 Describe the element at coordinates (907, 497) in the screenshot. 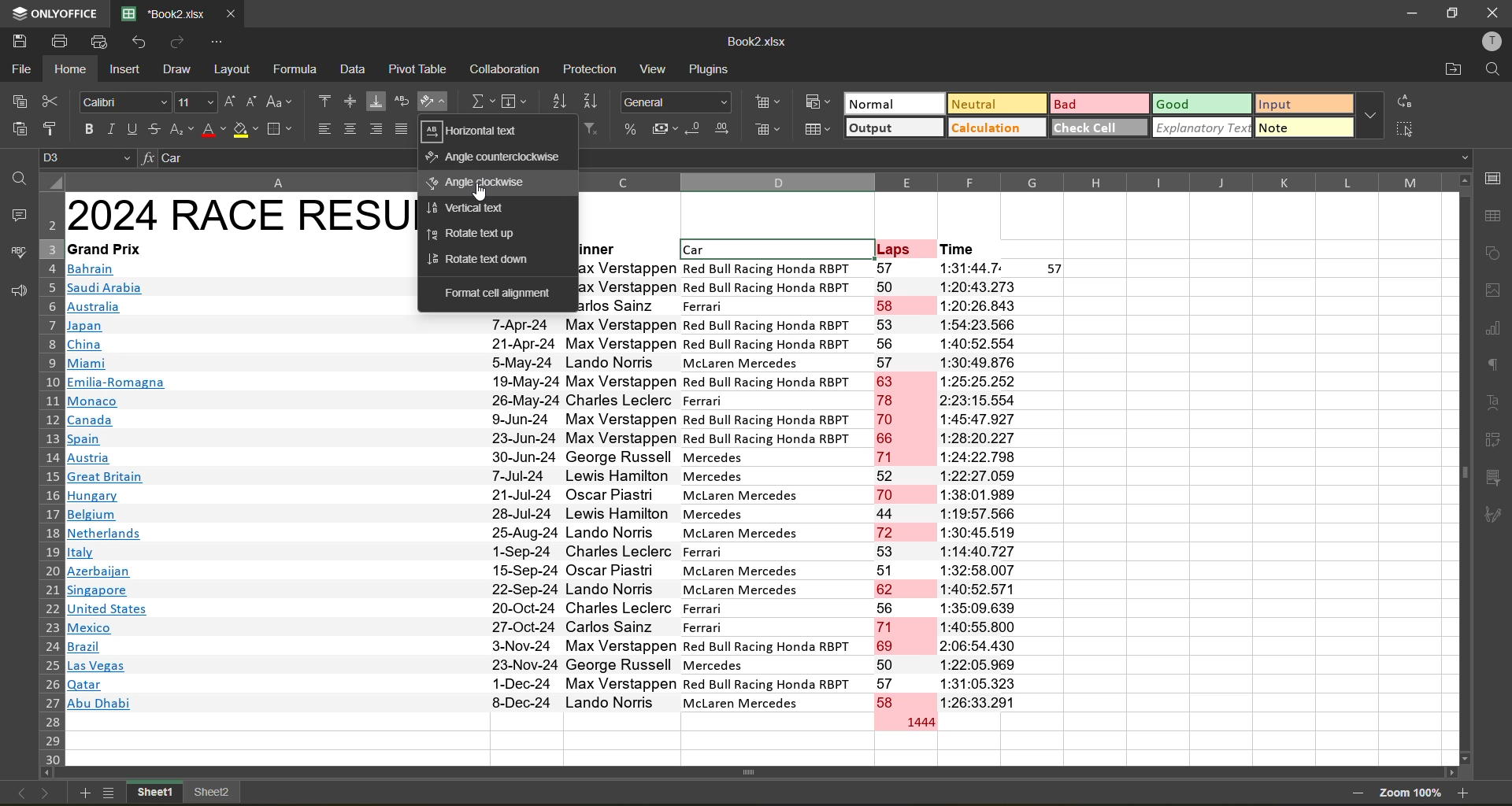

I see `Laps number` at that location.